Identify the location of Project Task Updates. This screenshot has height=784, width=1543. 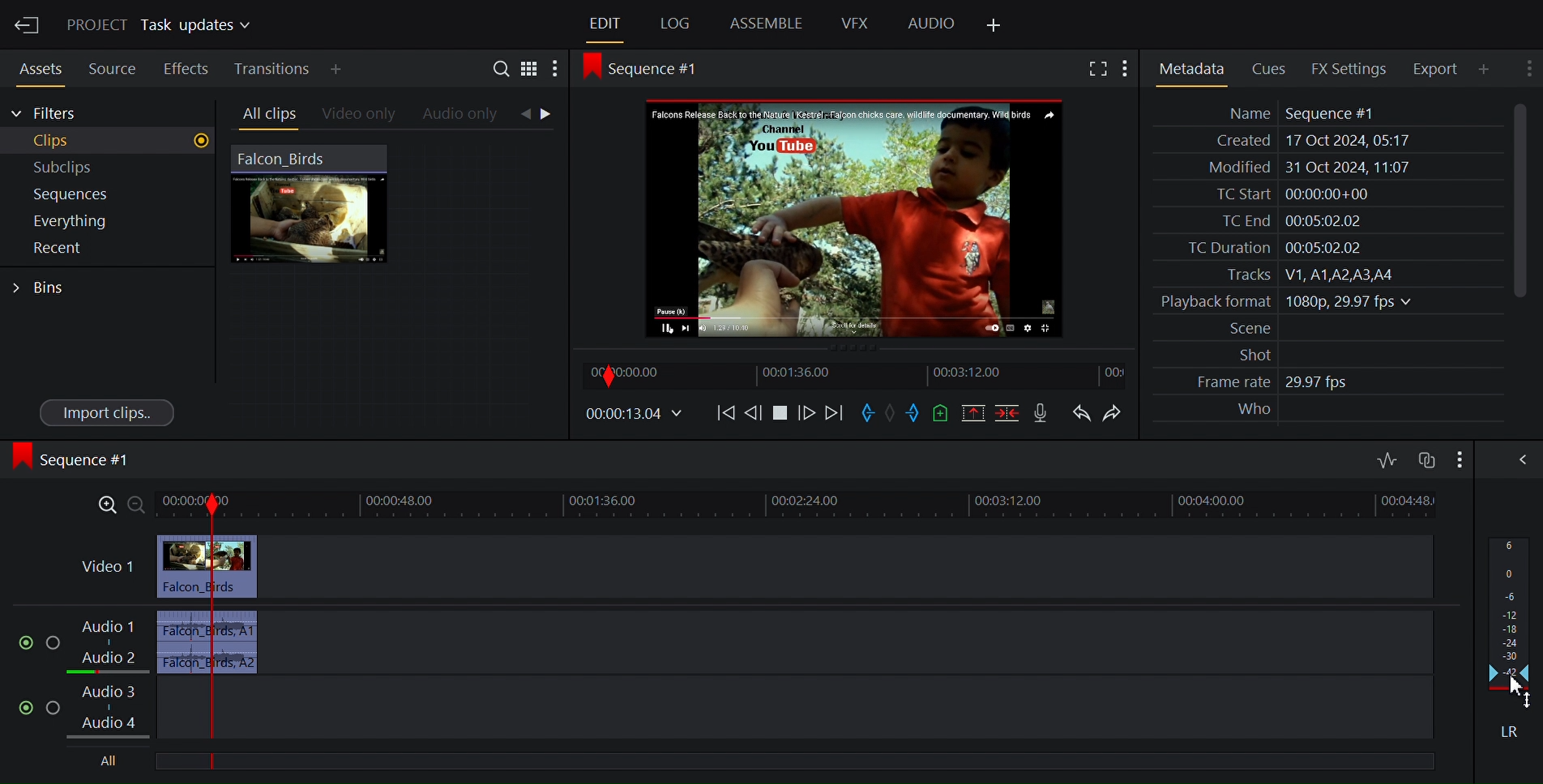
(158, 26).